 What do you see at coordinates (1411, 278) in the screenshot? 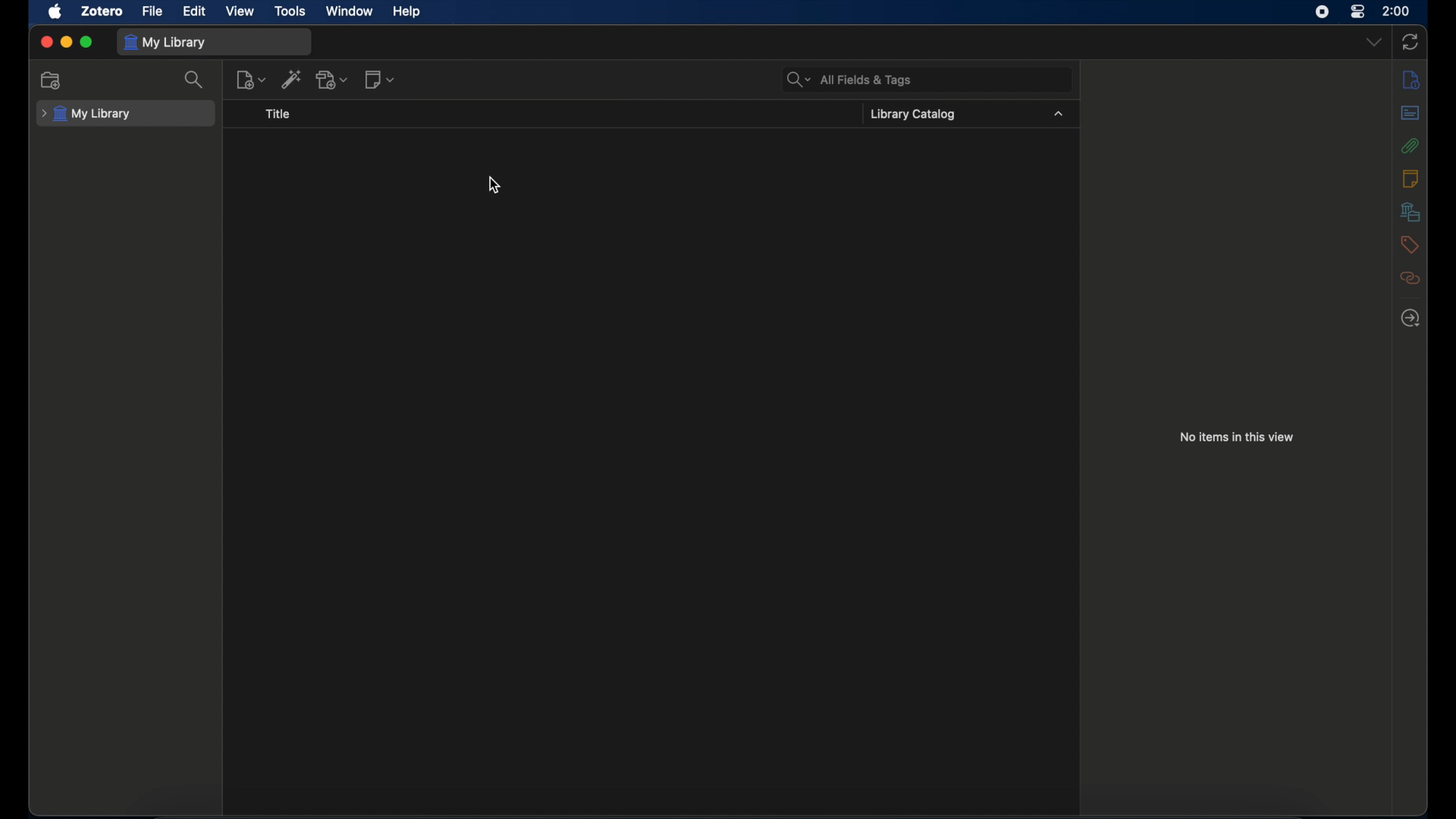
I see `related` at bounding box center [1411, 278].